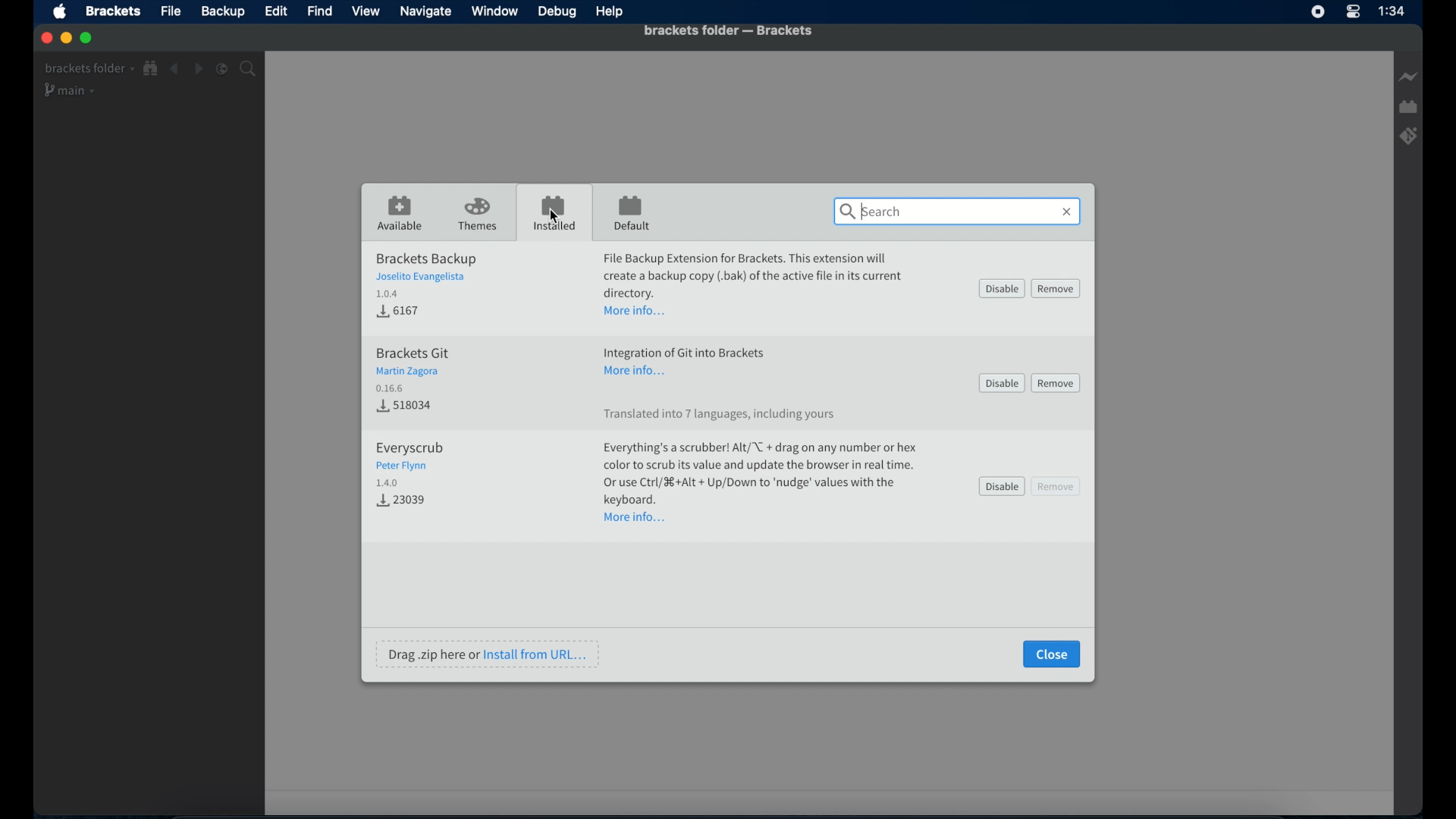 This screenshot has width=1456, height=819. Describe the element at coordinates (87, 38) in the screenshot. I see `Maximize` at that location.